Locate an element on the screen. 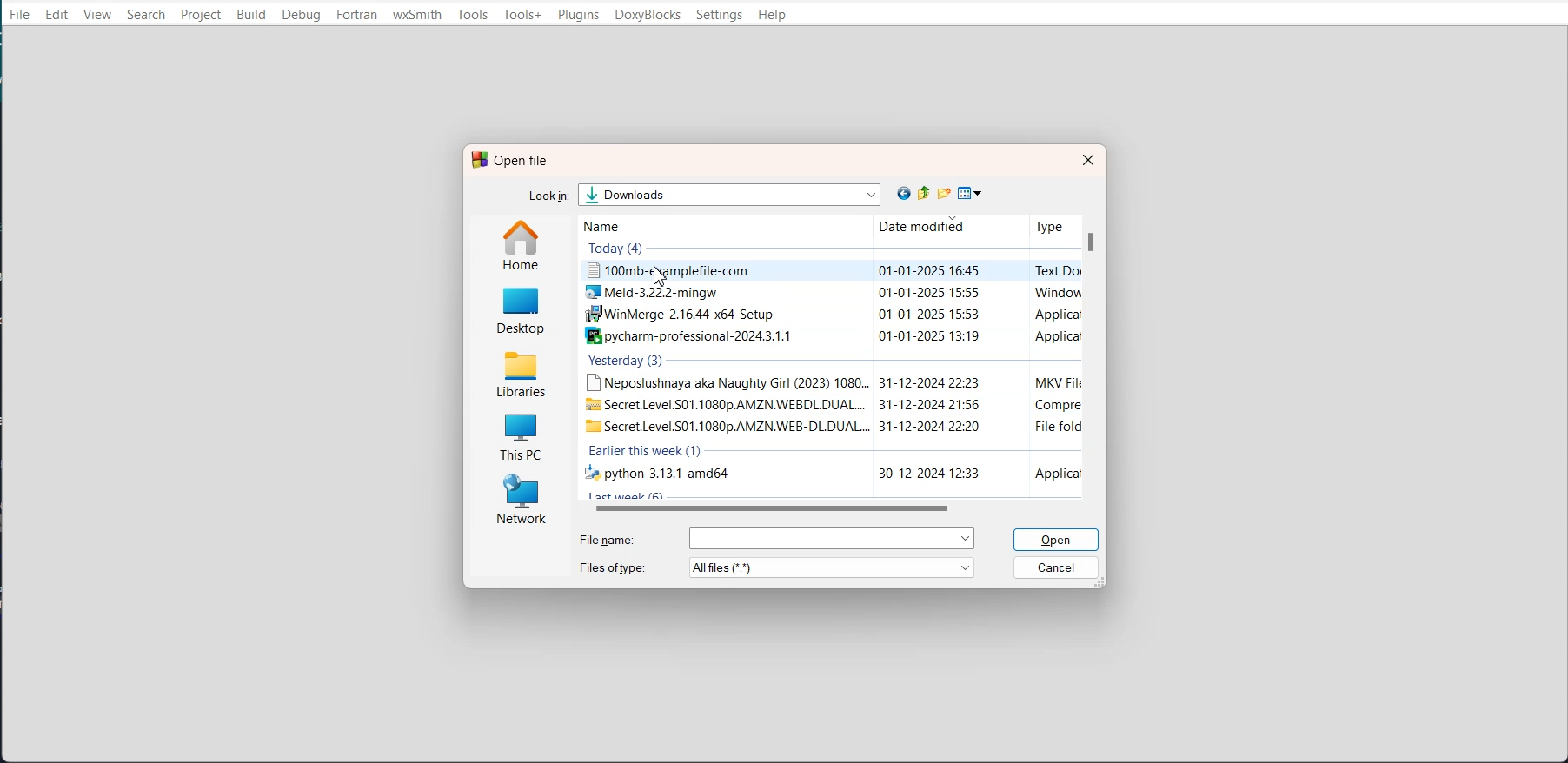  earlier this week (1) is located at coordinates (647, 452).